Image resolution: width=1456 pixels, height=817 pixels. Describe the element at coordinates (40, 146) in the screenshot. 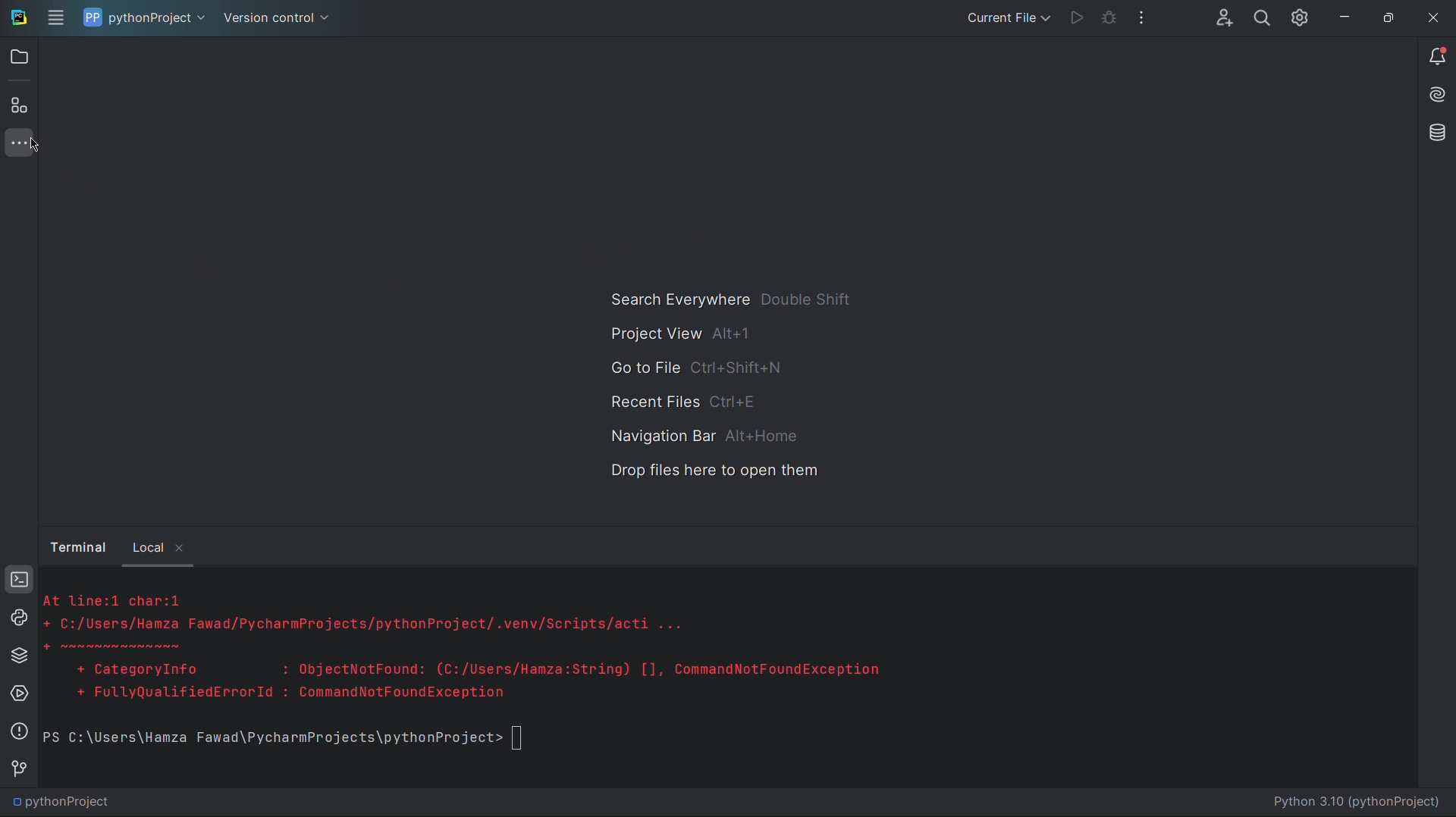

I see `Cursor ` at that location.